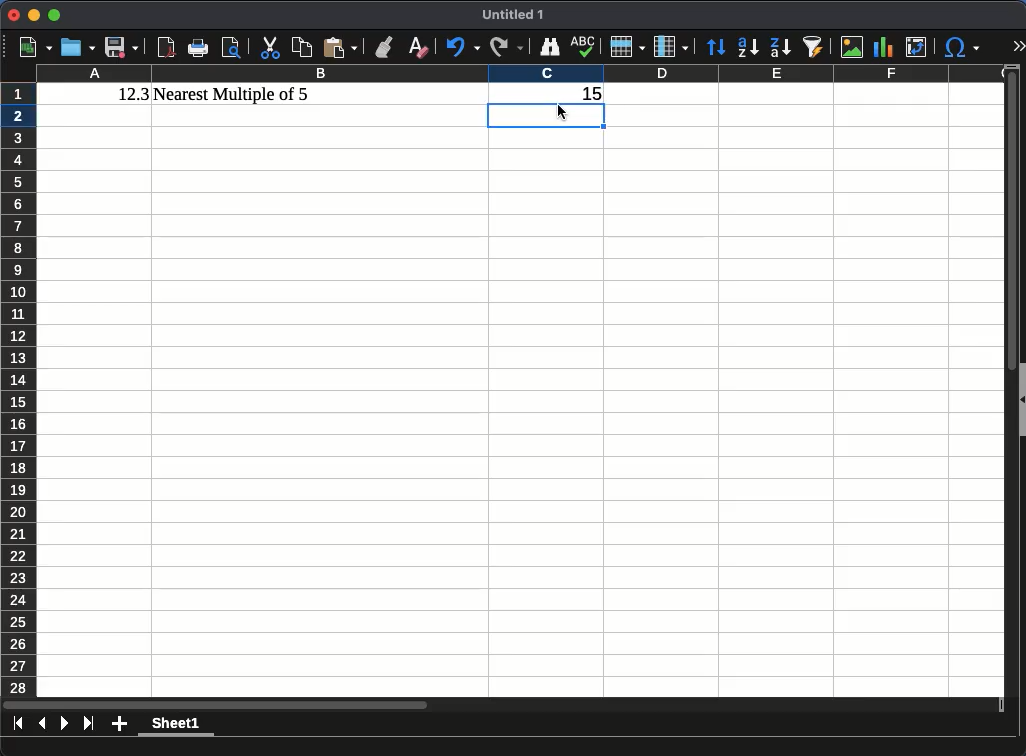 Image resolution: width=1026 pixels, height=756 pixels. Describe the element at coordinates (20, 723) in the screenshot. I see `first sheet` at that location.